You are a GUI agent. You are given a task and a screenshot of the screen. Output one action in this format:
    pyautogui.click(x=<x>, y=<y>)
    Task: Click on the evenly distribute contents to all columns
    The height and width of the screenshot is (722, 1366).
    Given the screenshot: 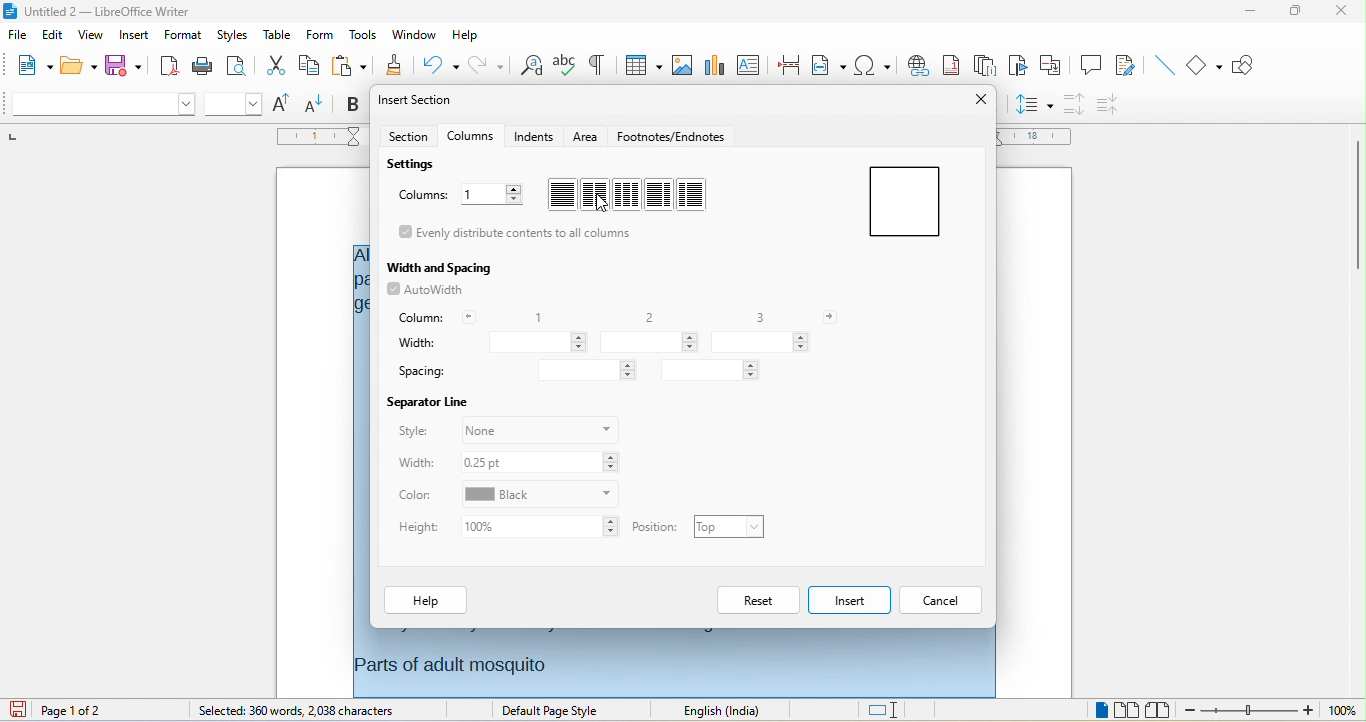 What is the action you would take?
    pyautogui.click(x=519, y=234)
    